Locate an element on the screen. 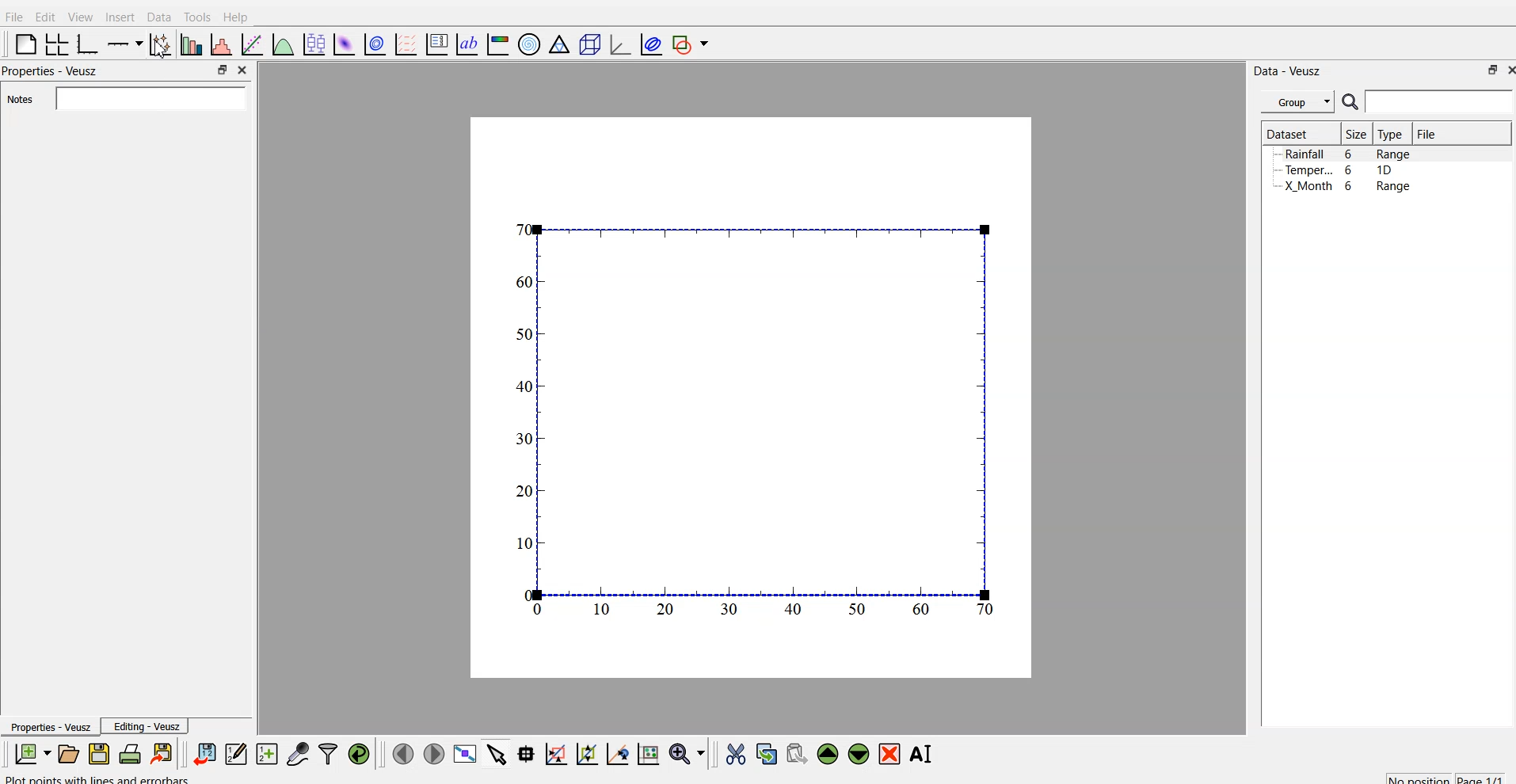 The height and width of the screenshot is (784, 1516). reset graph axes is located at coordinates (651, 752).